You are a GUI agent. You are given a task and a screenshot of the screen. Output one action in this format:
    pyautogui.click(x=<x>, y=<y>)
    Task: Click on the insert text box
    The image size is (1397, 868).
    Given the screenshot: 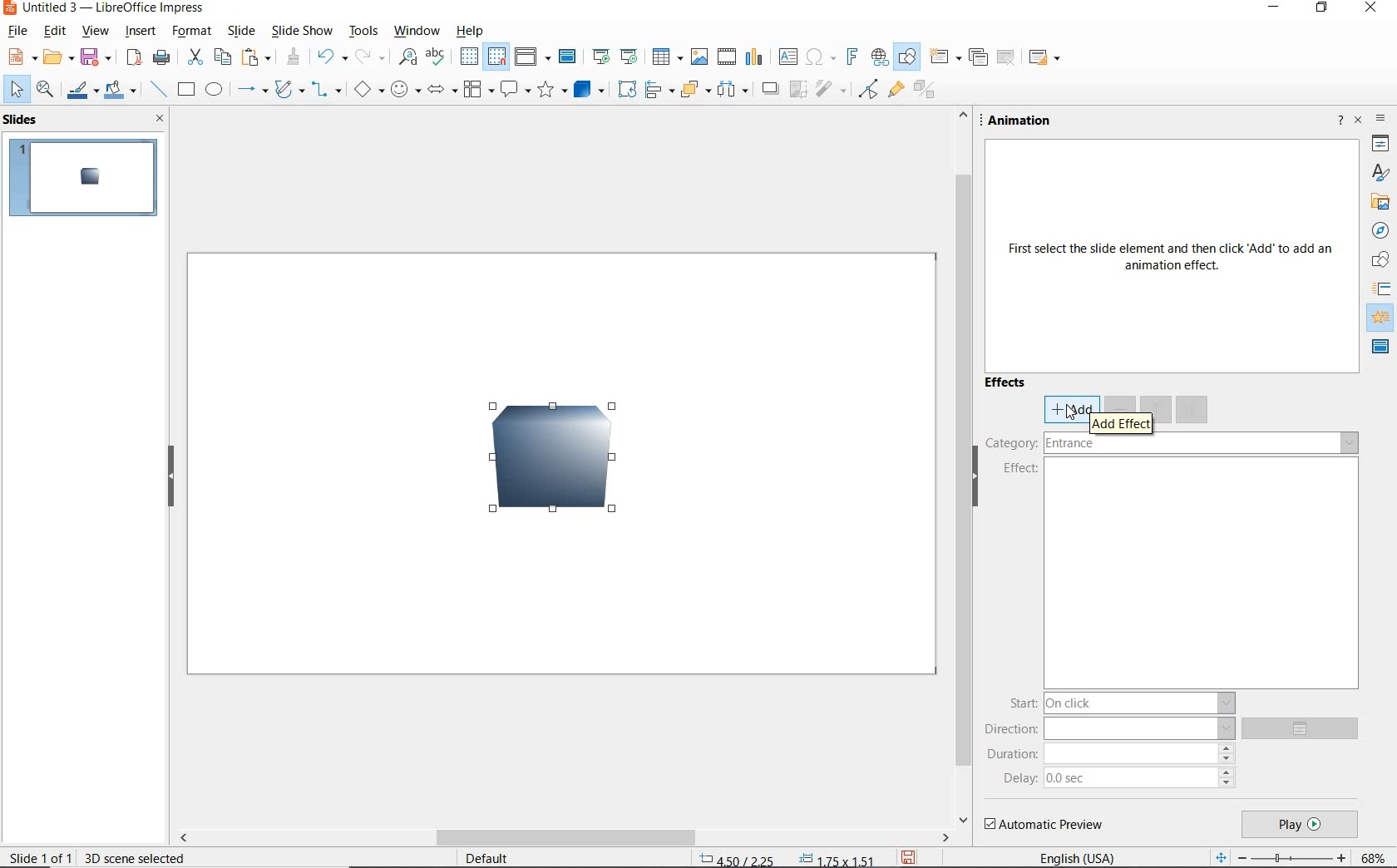 What is the action you would take?
    pyautogui.click(x=787, y=57)
    